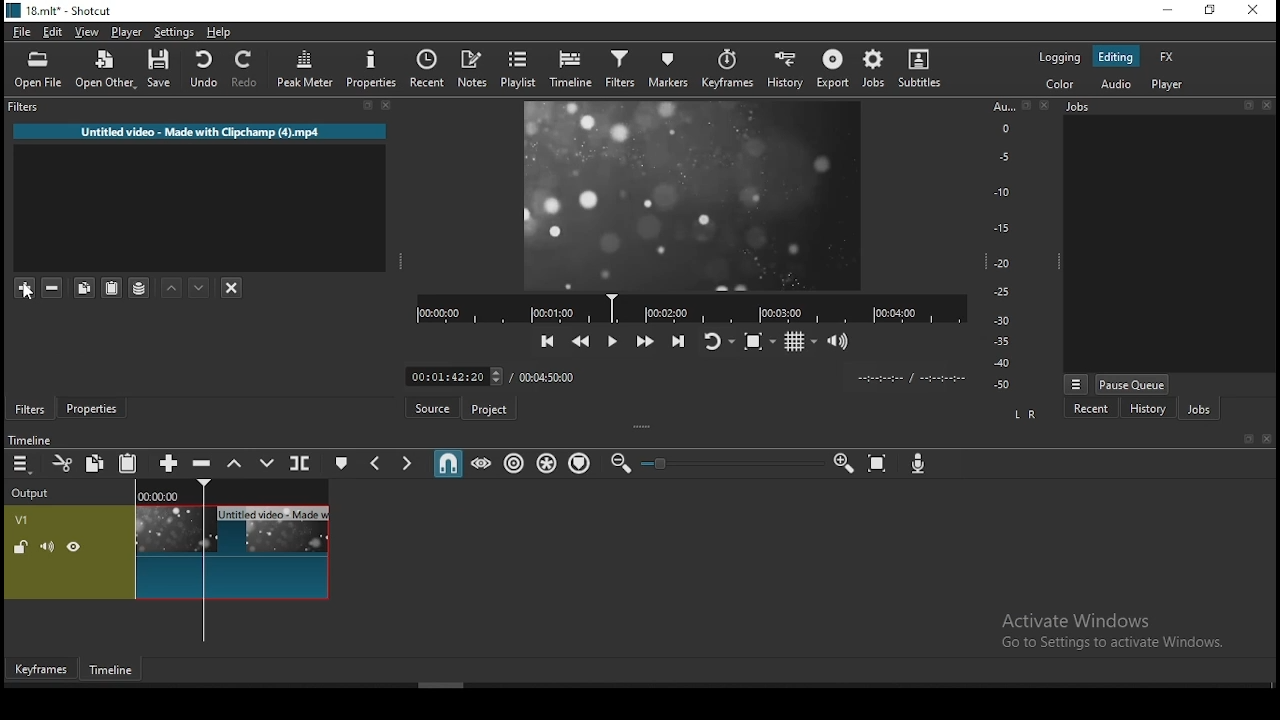  Describe the element at coordinates (82, 289) in the screenshot. I see `paste` at that location.